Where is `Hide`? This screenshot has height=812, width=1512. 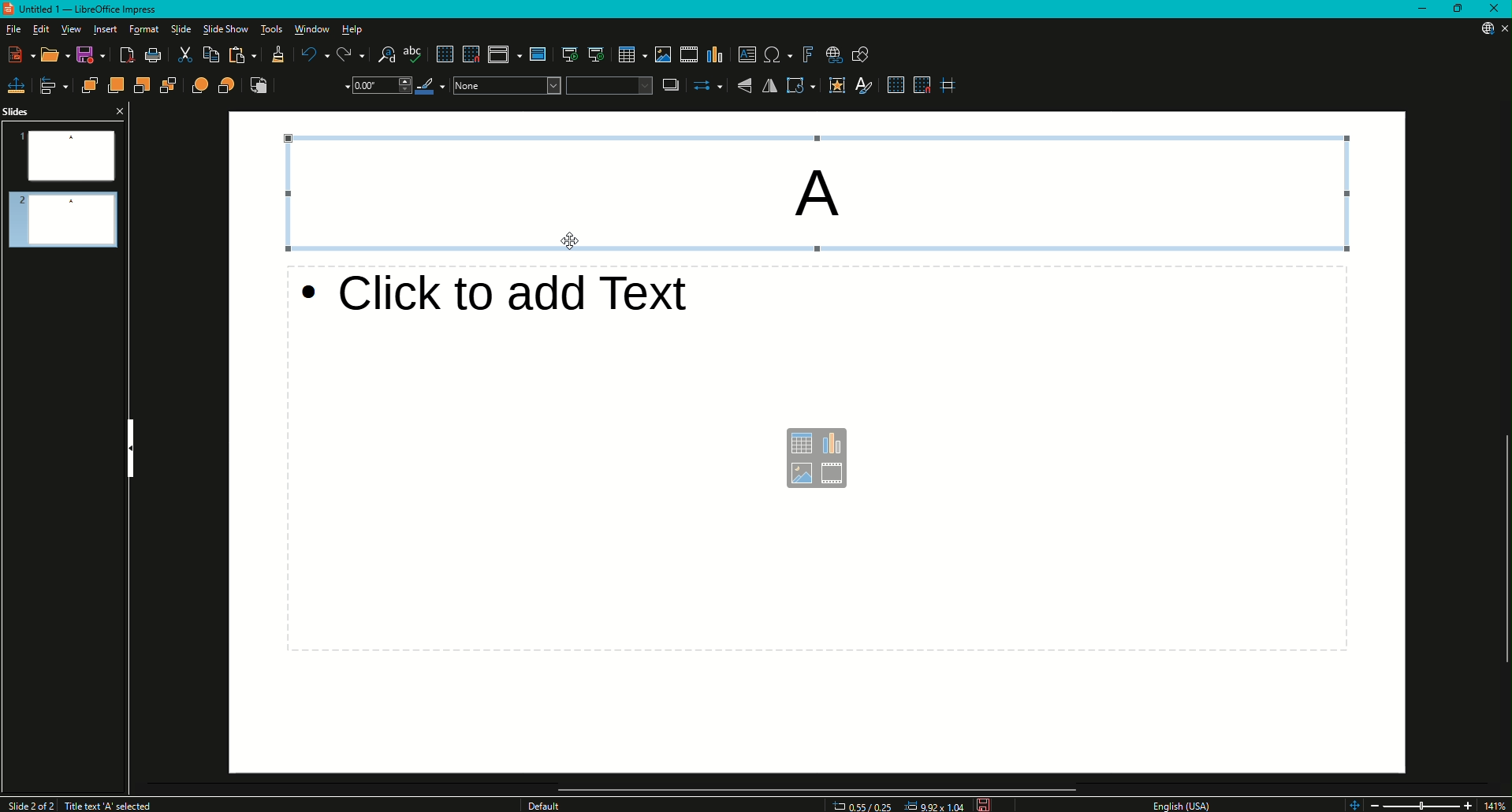
Hide is located at coordinates (132, 442).